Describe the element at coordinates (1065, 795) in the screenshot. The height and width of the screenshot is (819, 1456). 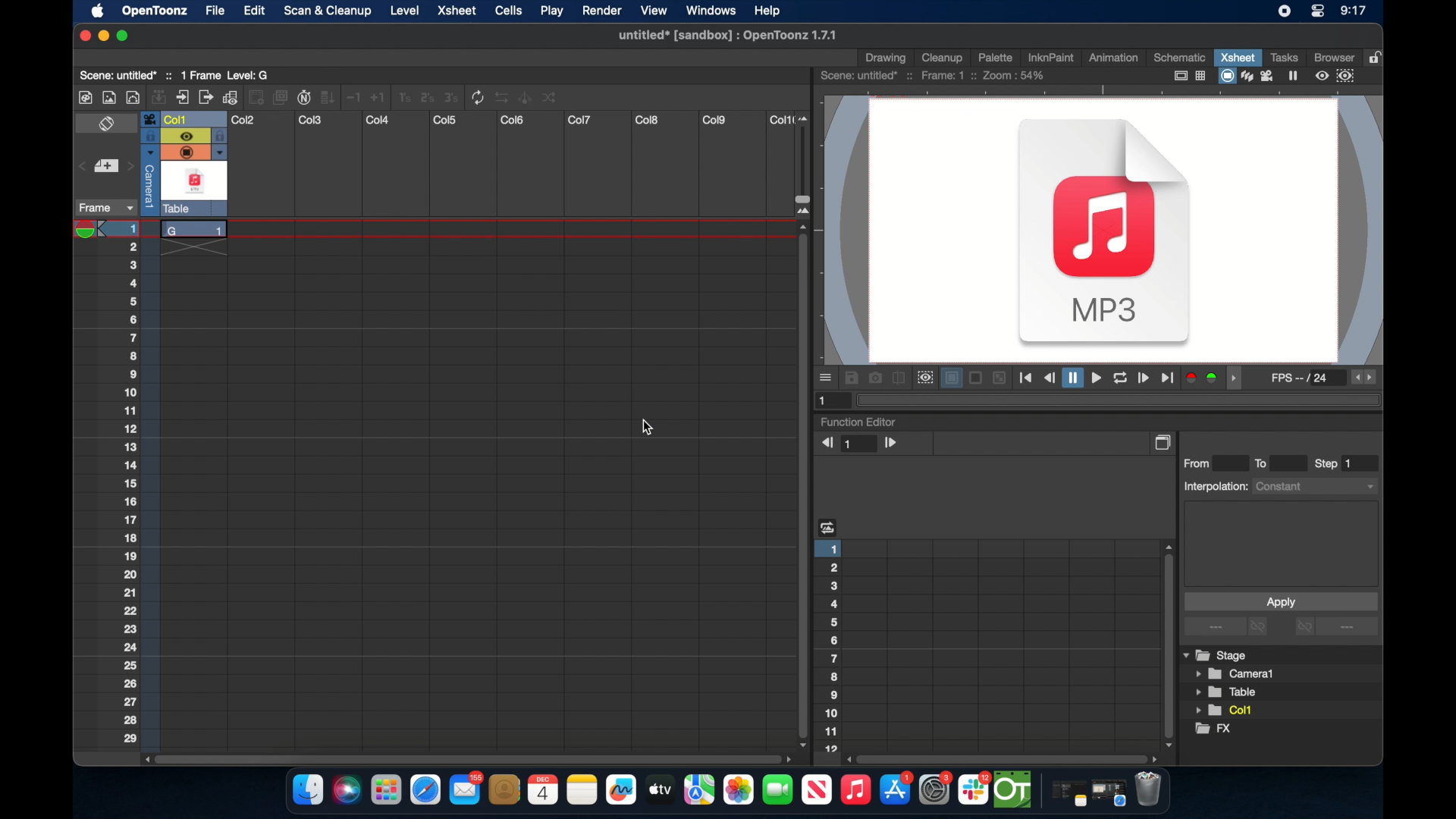
I see `notes` at that location.